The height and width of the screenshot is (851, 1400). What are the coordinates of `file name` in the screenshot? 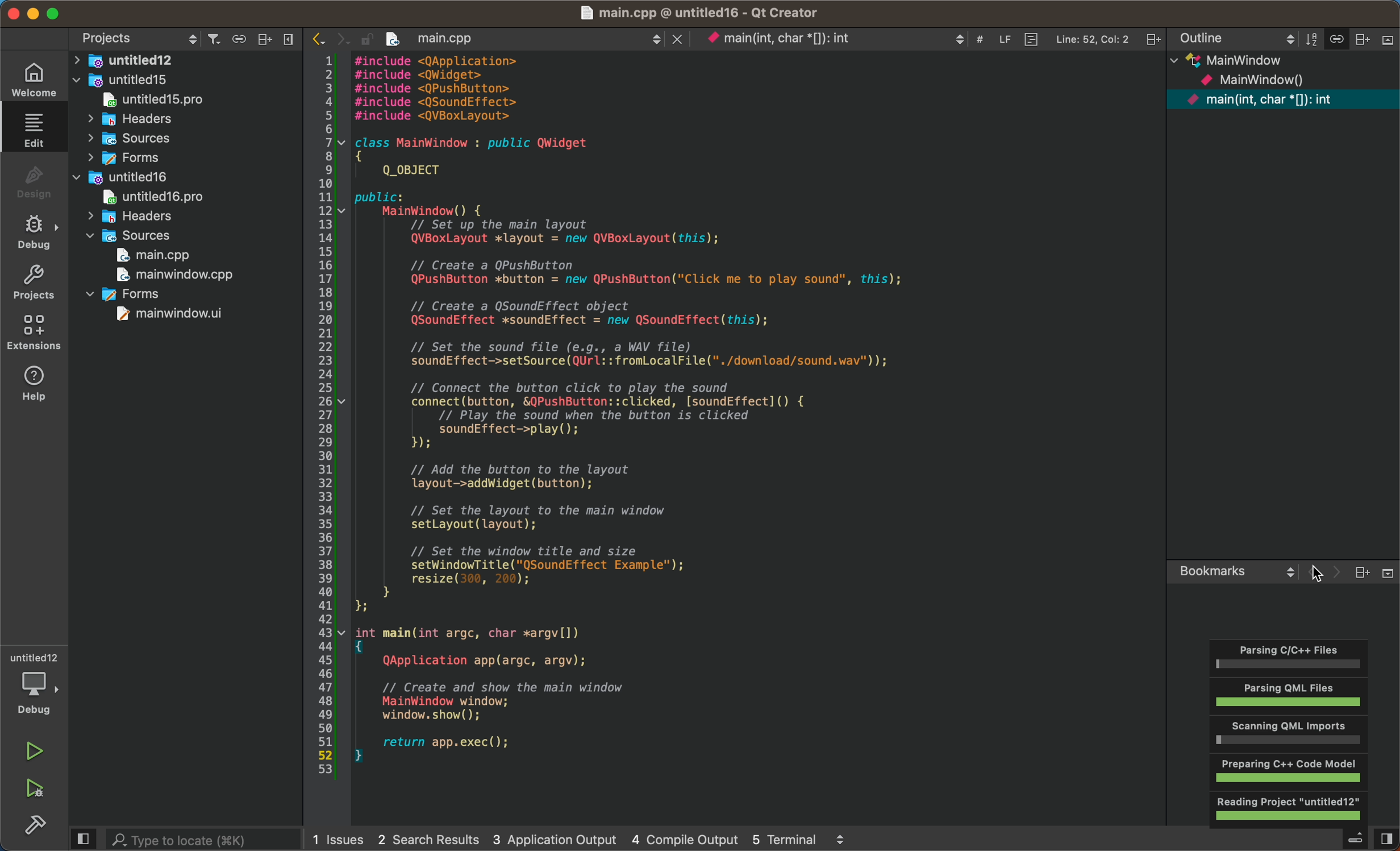 It's located at (720, 13).